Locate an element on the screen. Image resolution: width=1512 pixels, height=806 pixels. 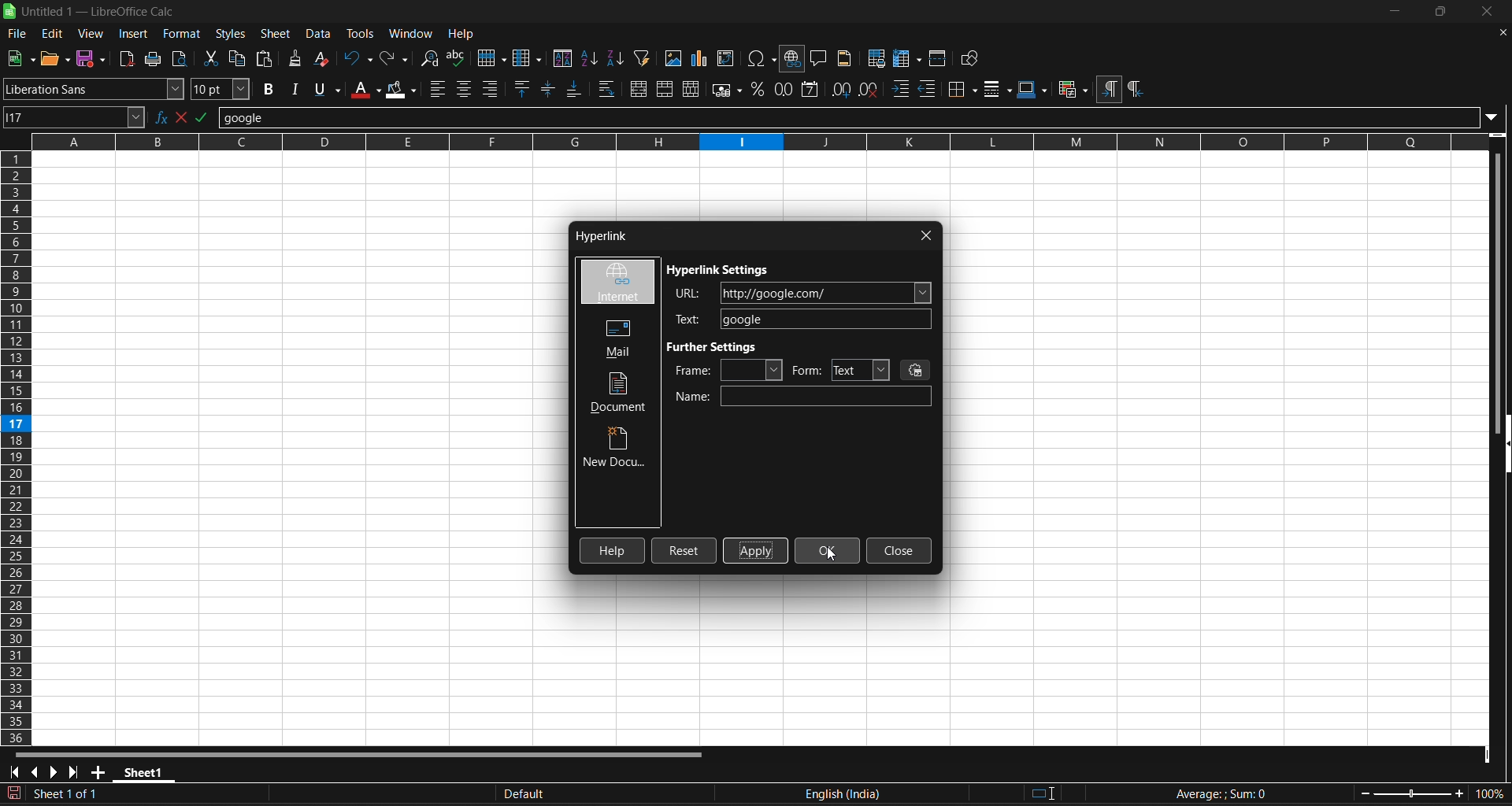
sort ascending is located at coordinates (591, 58).